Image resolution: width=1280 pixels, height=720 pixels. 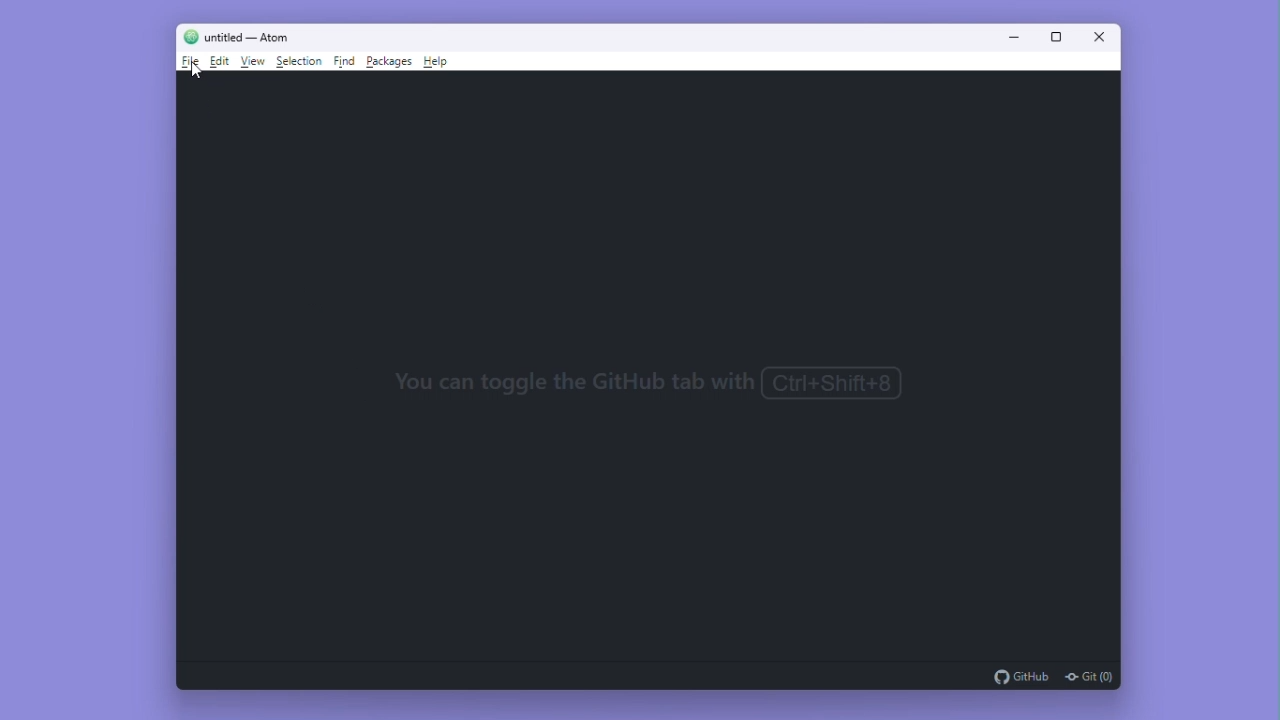 What do you see at coordinates (1021, 676) in the screenshot?
I see `github` at bounding box center [1021, 676].